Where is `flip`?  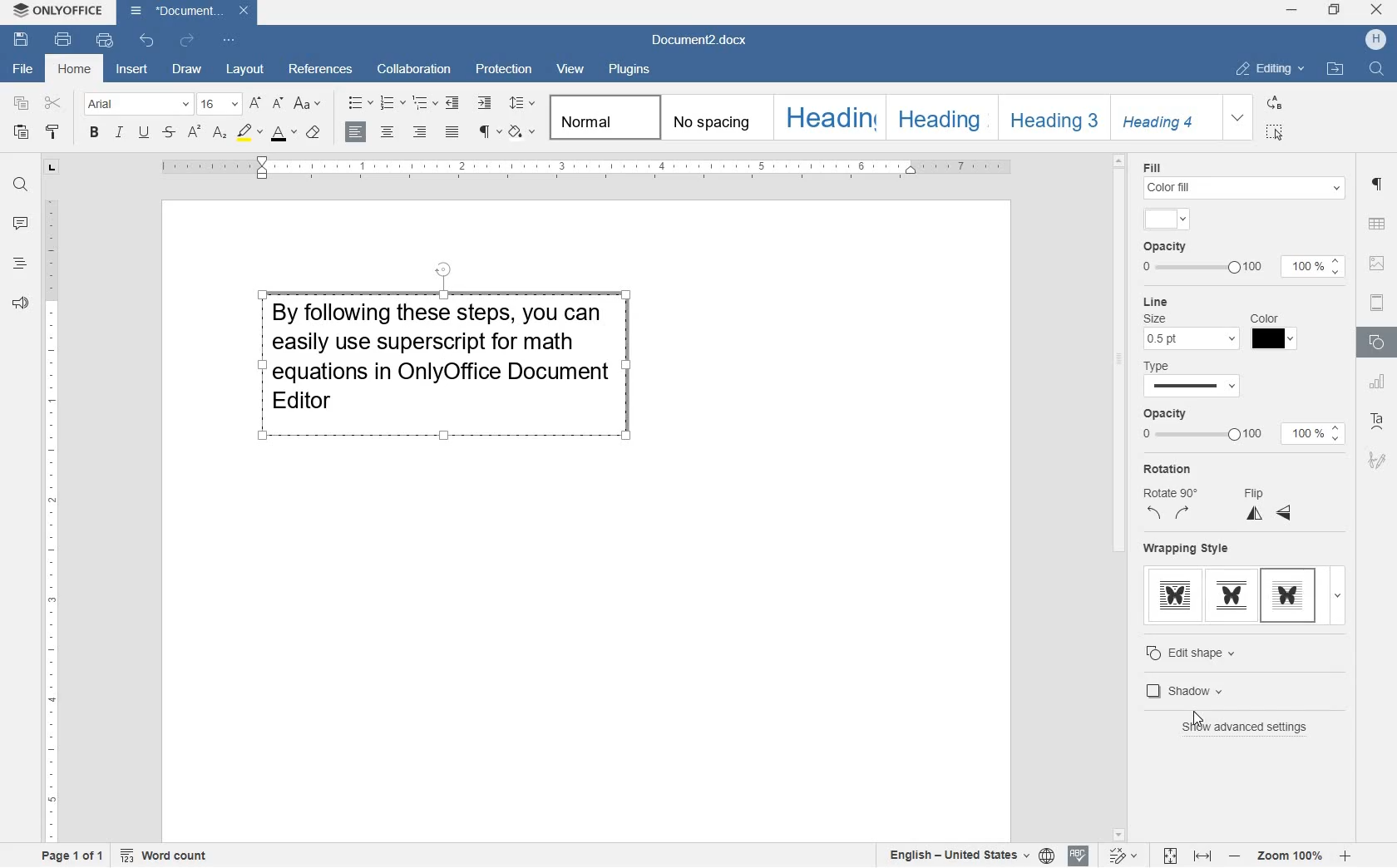 flip is located at coordinates (1267, 507).